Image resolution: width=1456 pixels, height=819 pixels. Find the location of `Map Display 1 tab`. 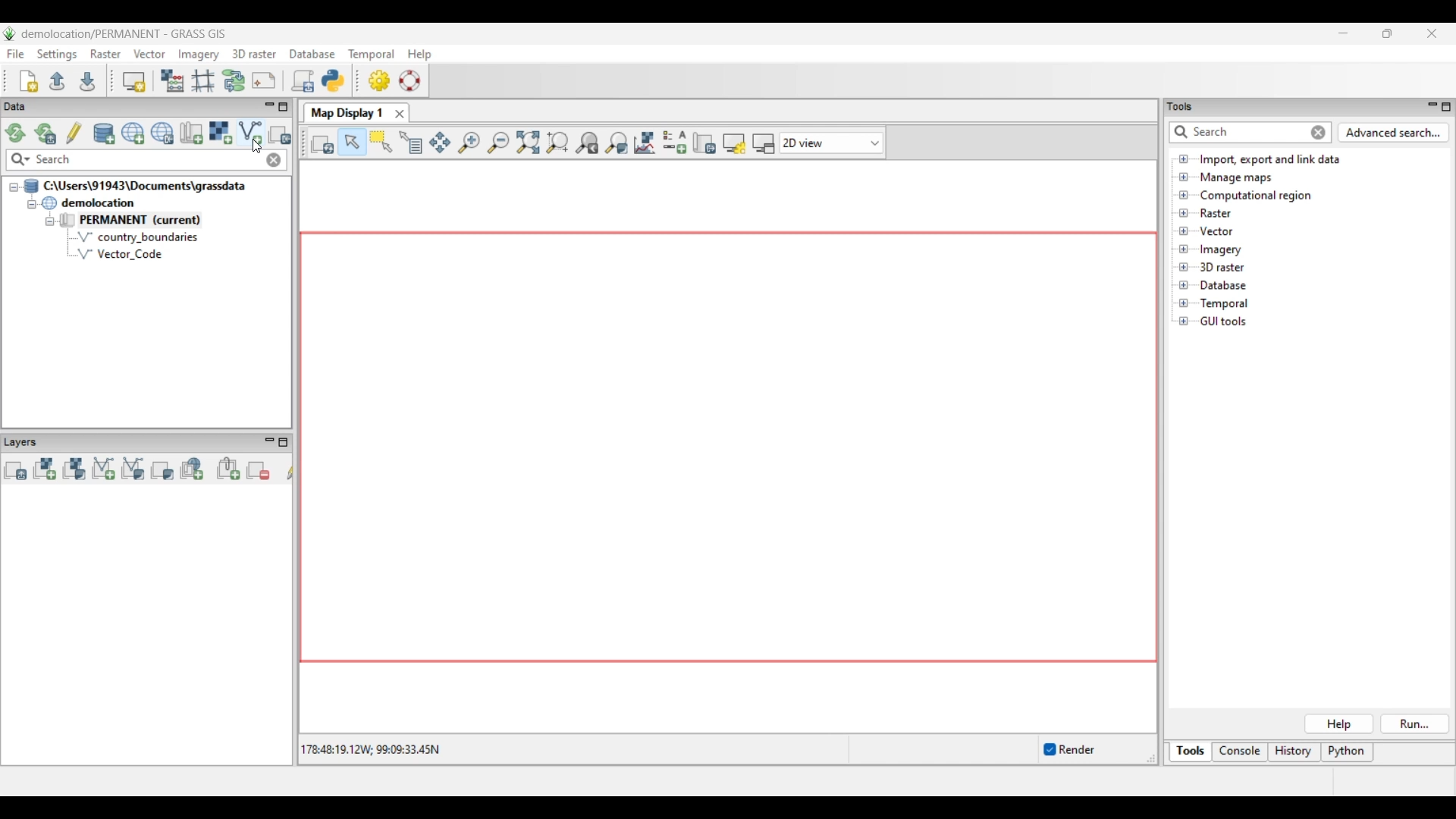

Map Display 1 tab is located at coordinates (347, 113).